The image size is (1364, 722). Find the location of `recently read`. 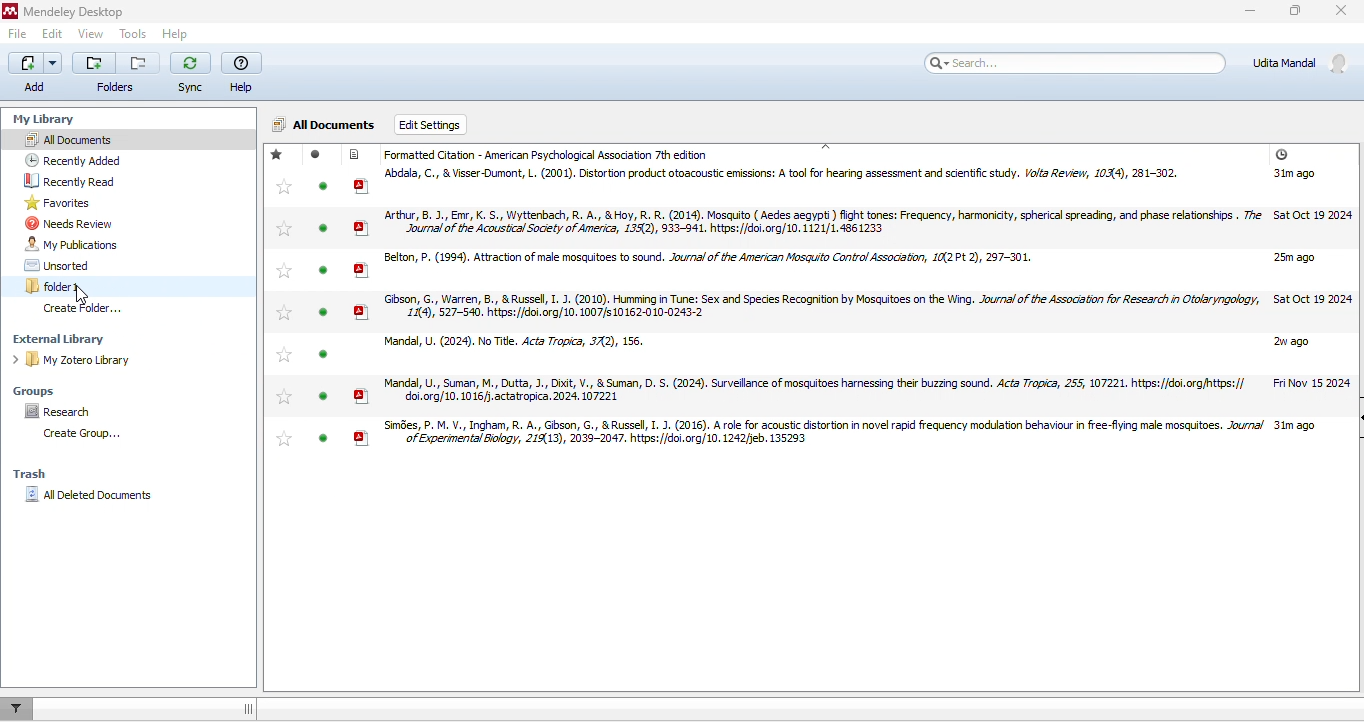

recently read is located at coordinates (66, 180).